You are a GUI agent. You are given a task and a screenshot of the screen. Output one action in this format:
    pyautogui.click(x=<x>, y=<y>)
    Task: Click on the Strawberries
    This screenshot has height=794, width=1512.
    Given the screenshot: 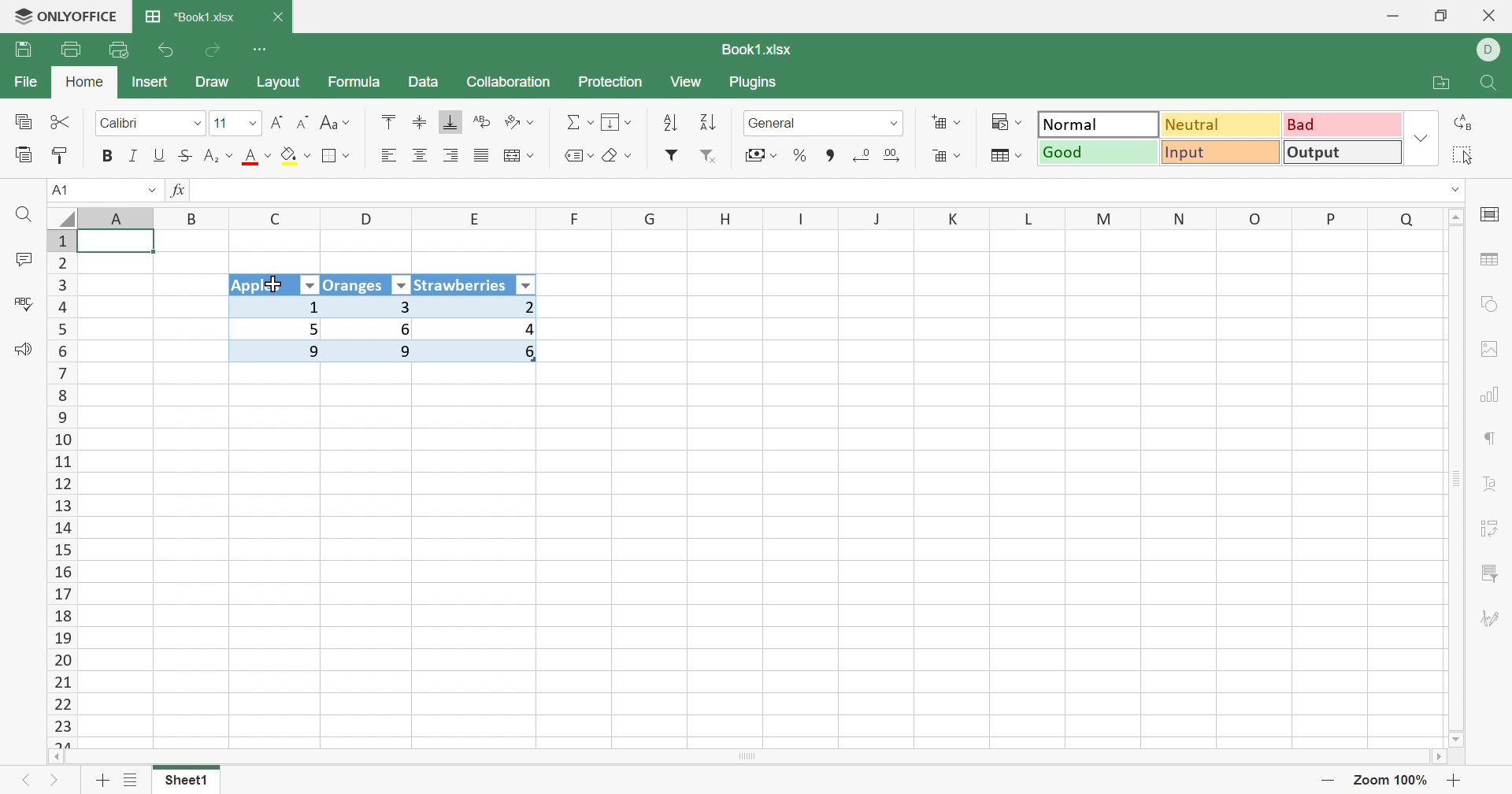 What is the action you would take?
    pyautogui.click(x=462, y=284)
    